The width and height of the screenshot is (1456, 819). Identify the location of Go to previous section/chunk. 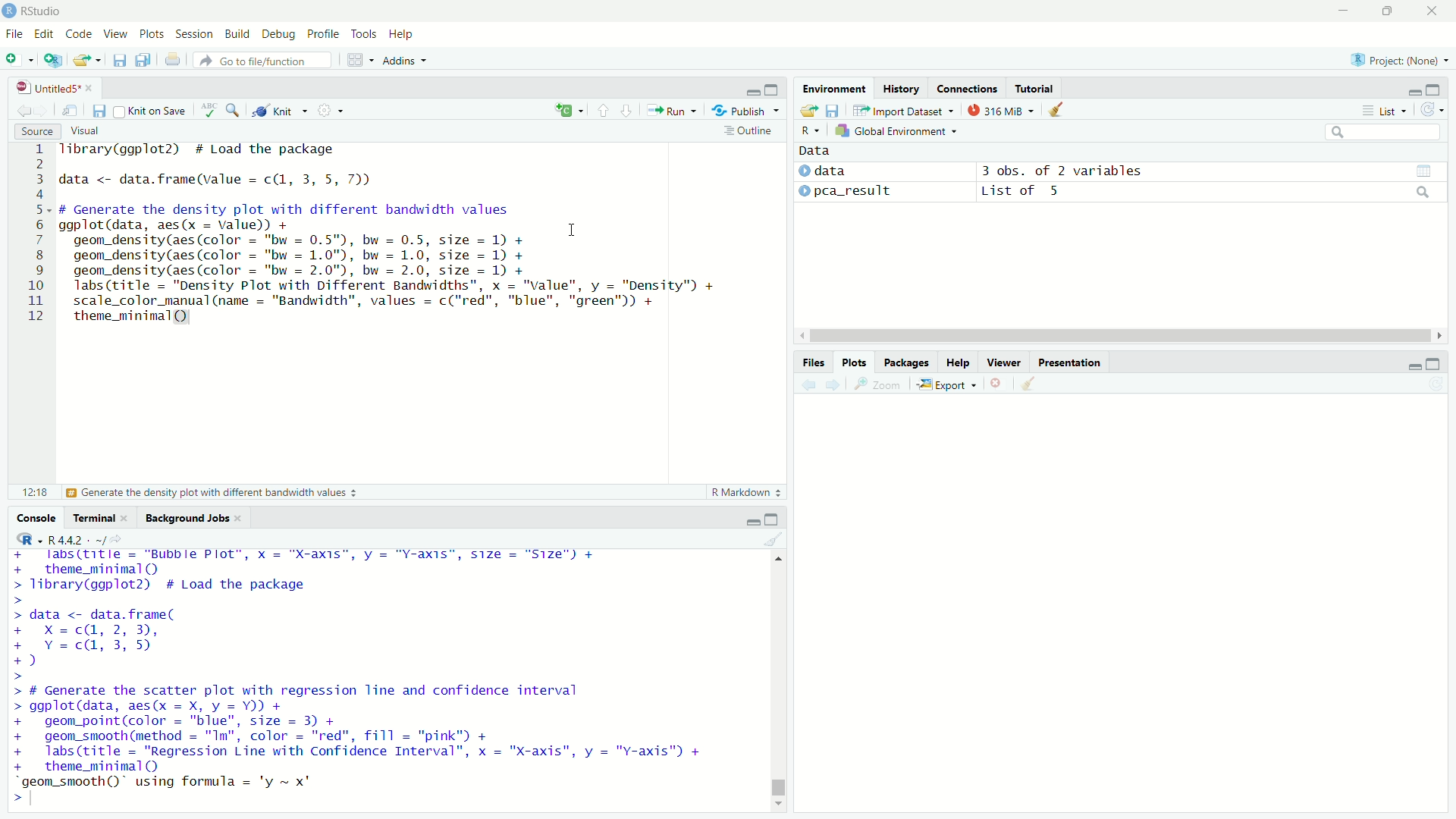
(602, 109).